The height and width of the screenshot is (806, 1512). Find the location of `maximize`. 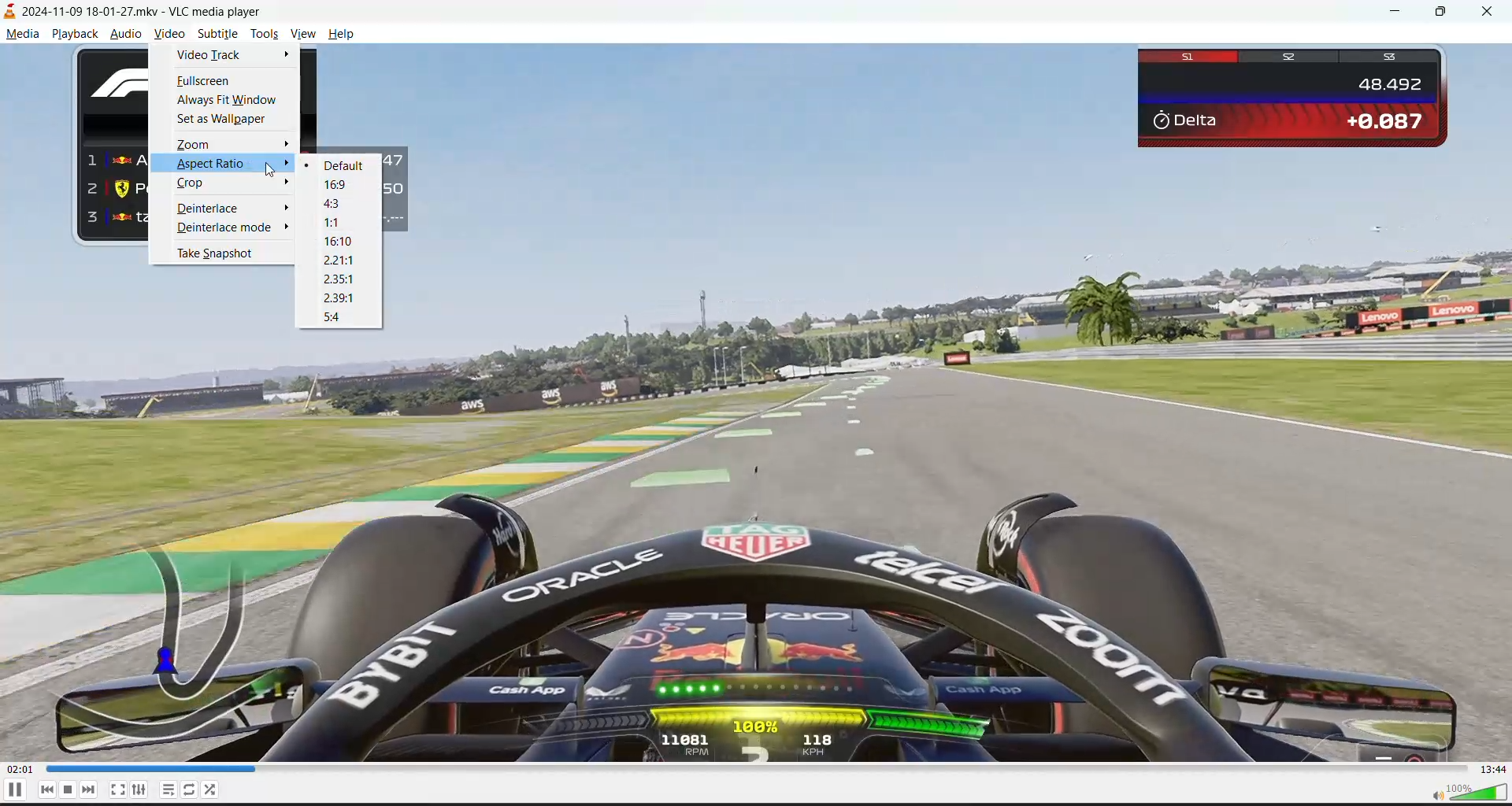

maximize is located at coordinates (1444, 13).